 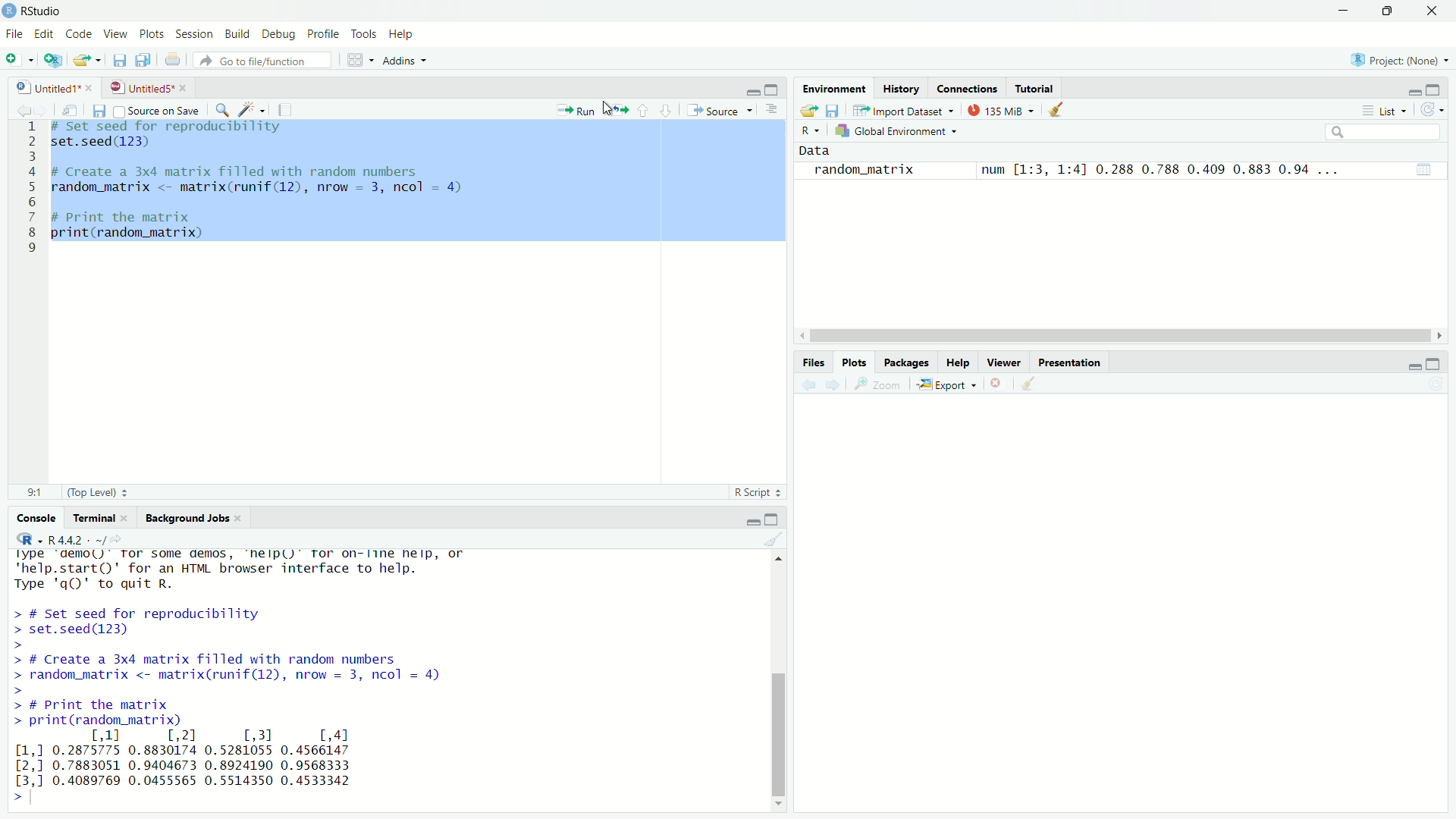 What do you see at coordinates (15, 33) in the screenshot?
I see `File` at bounding box center [15, 33].